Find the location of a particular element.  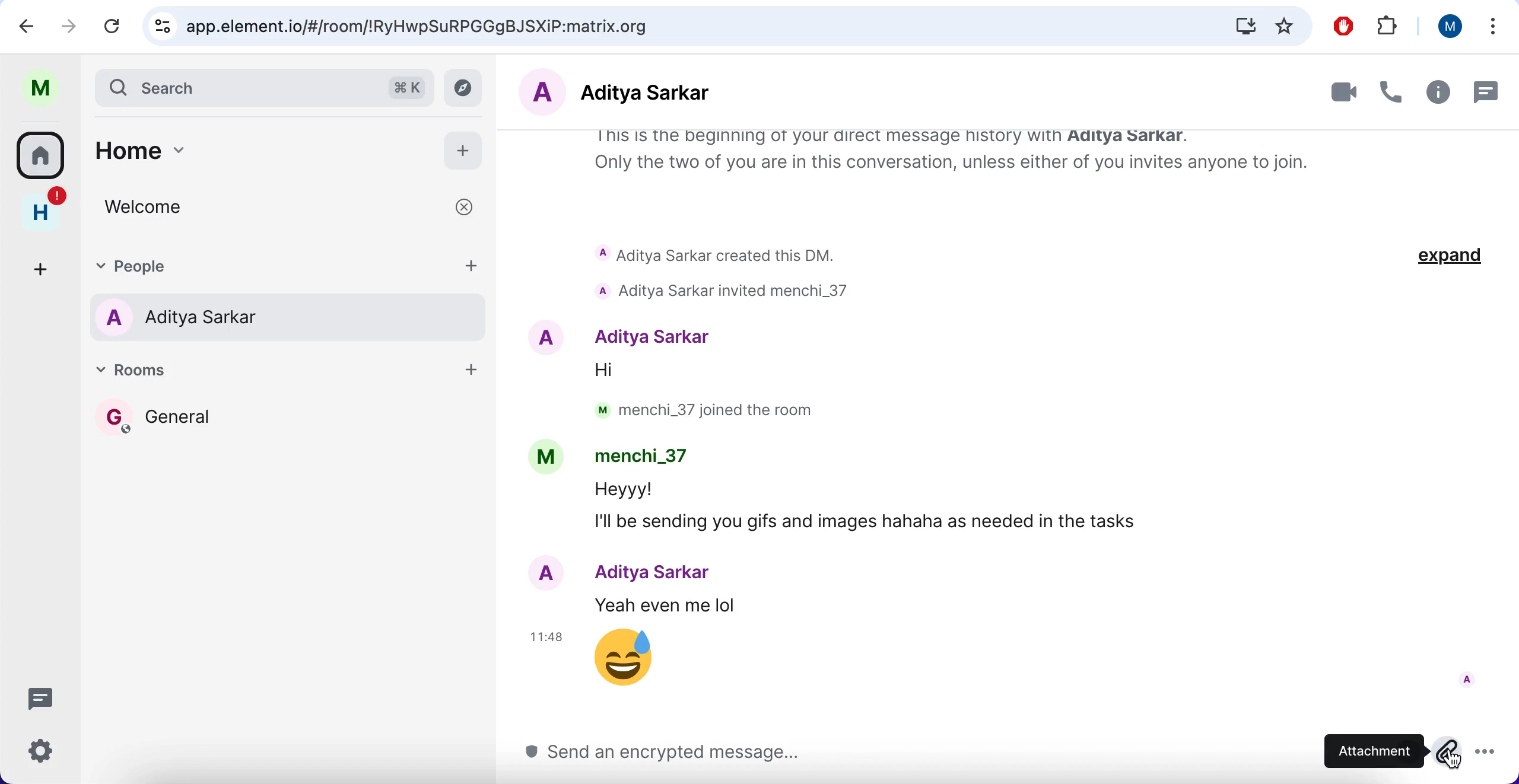

This is the beginning of your direct message history with Aditya Sarkar.  Only the two of you are in this conversation, unless either of you invites anyone to join. is located at coordinates (945, 149).